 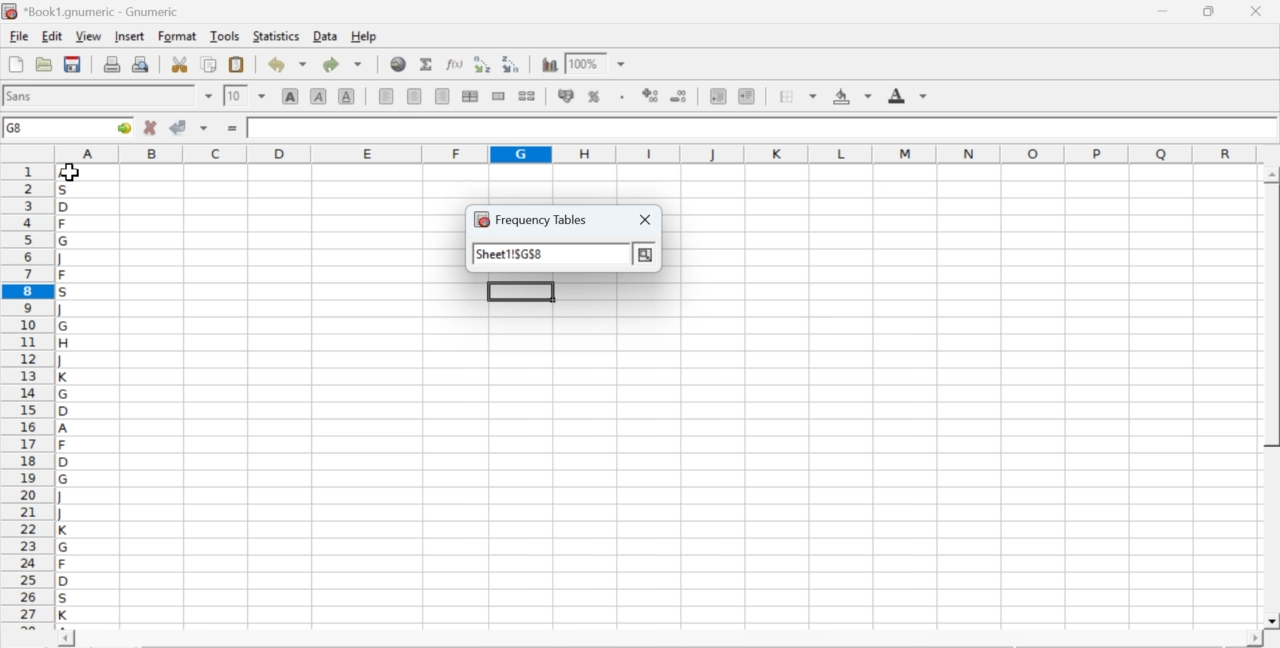 What do you see at coordinates (151, 127) in the screenshot?
I see `cancel changes` at bounding box center [151, 127].